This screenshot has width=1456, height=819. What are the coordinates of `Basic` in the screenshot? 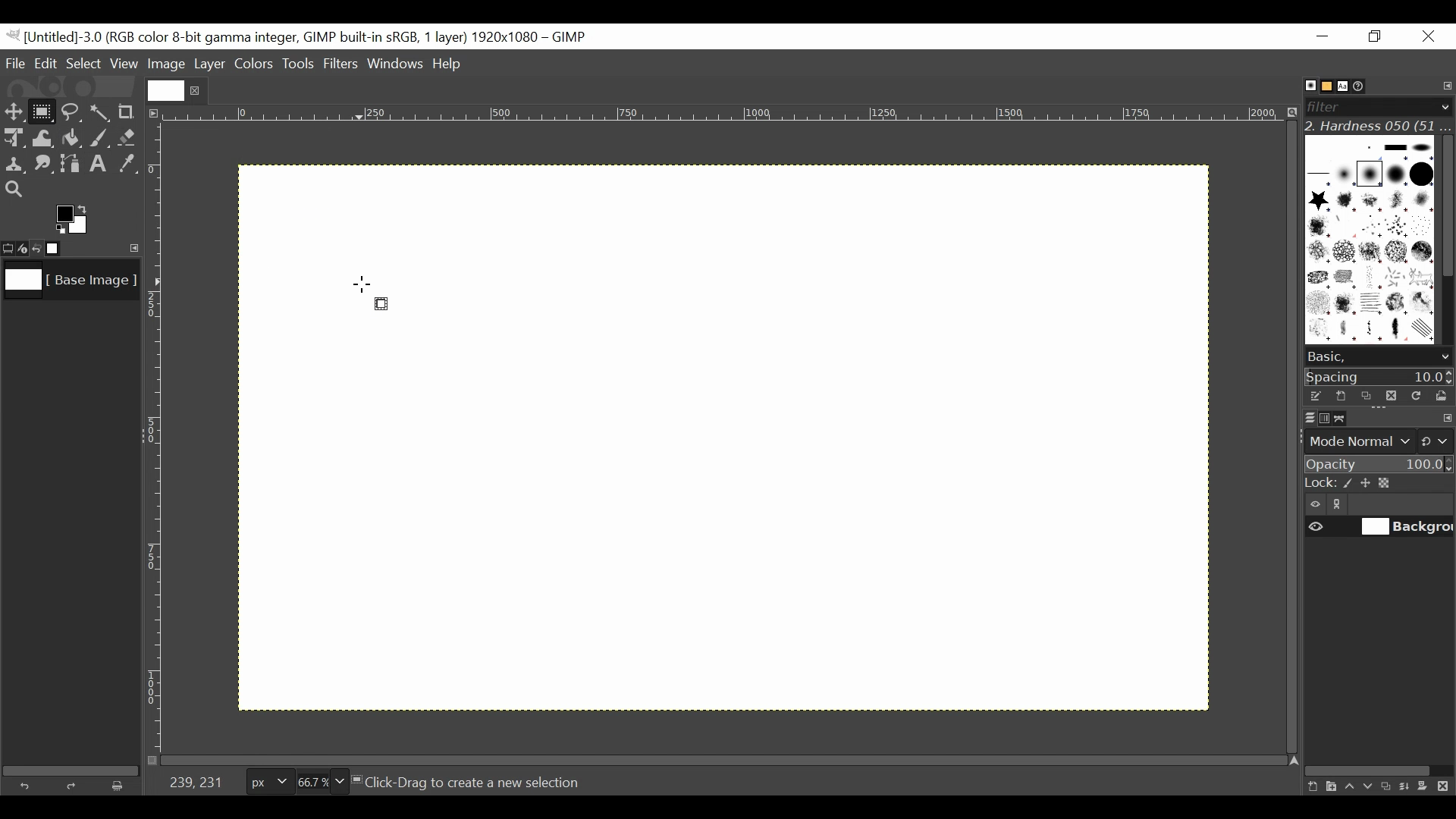 It's located at (1323, 86).